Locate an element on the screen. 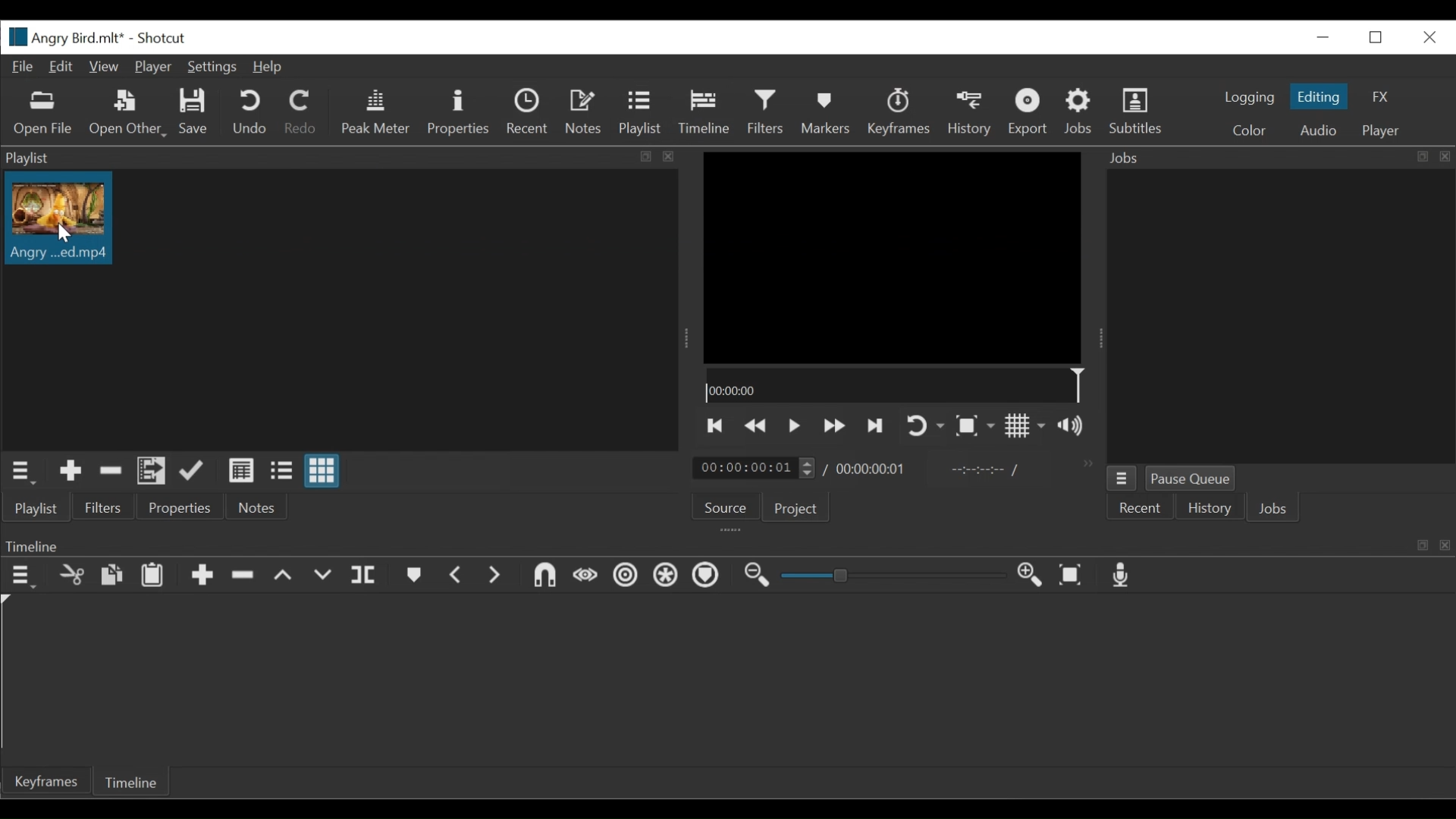  Project is located at coordinates (799, 510).